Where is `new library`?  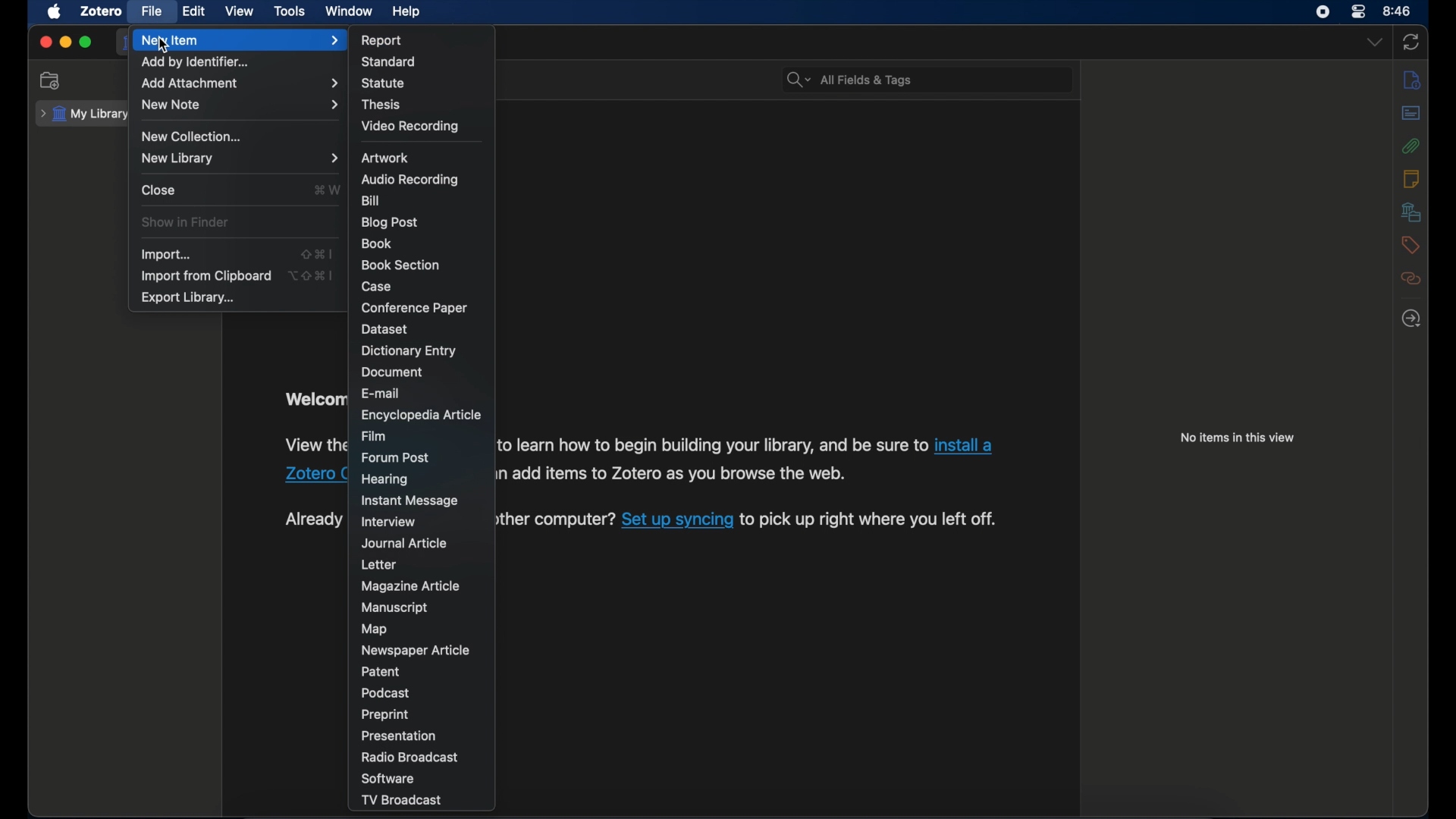 new library is located at coordinates (238, 159).